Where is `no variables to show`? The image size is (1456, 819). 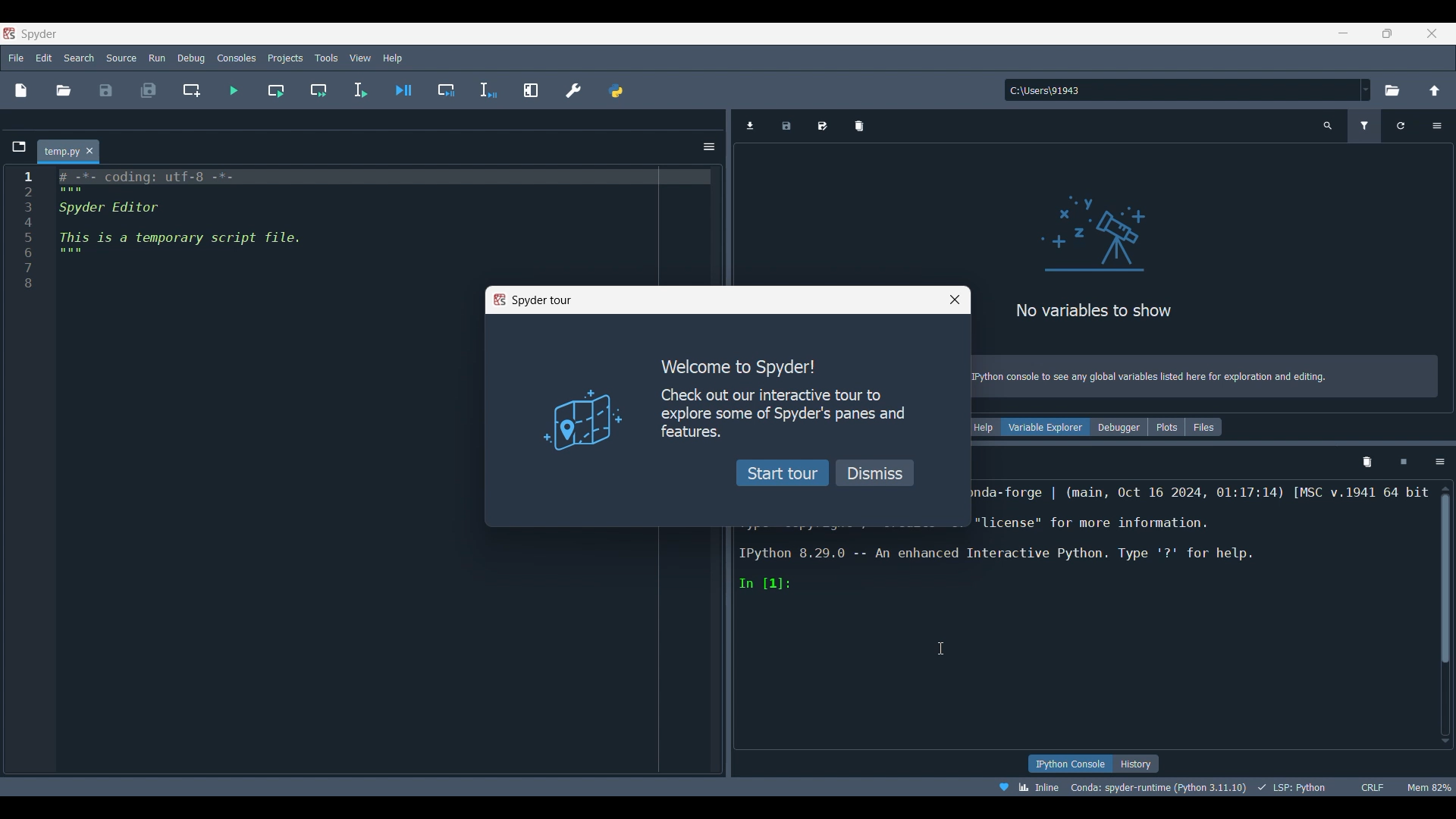
no variables to show is located at coordinates (1098, 252).